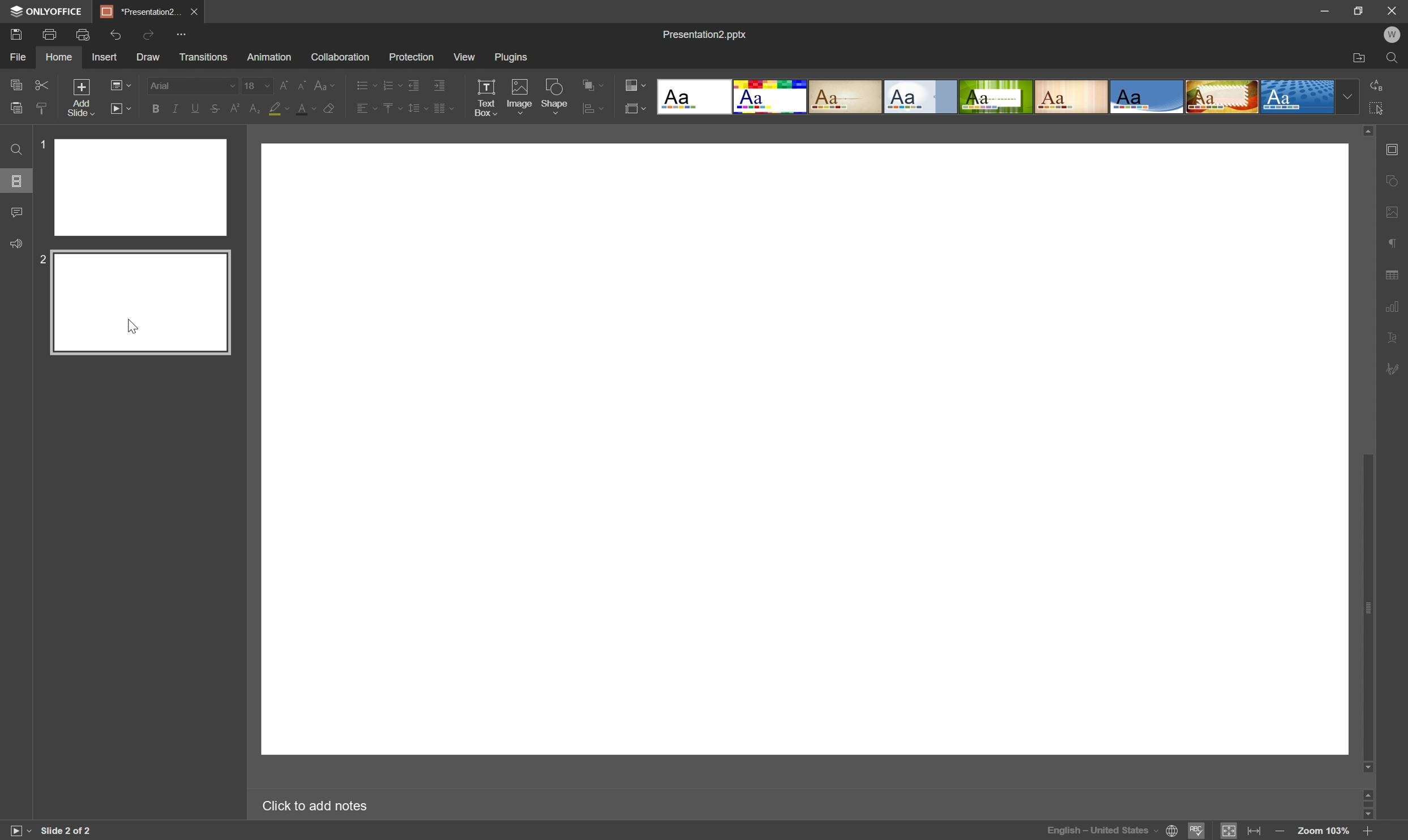  What do you see at coordinates (255, 83) in the screenshot?
I see `18` at bounding box center [255, 83].